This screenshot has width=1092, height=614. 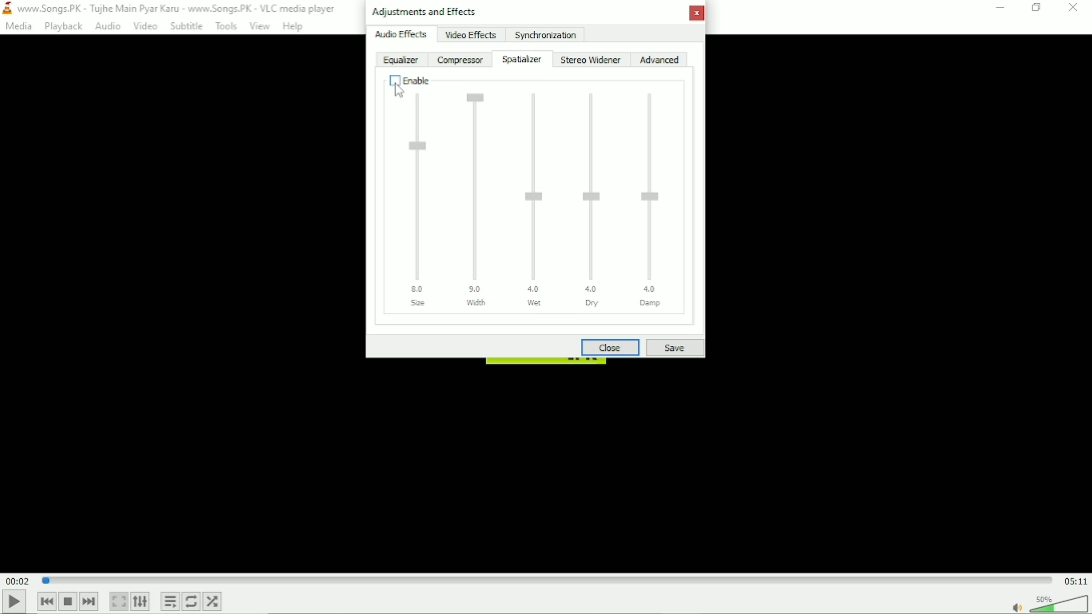 I want to click on Volume, so click(x=1060, y=603).